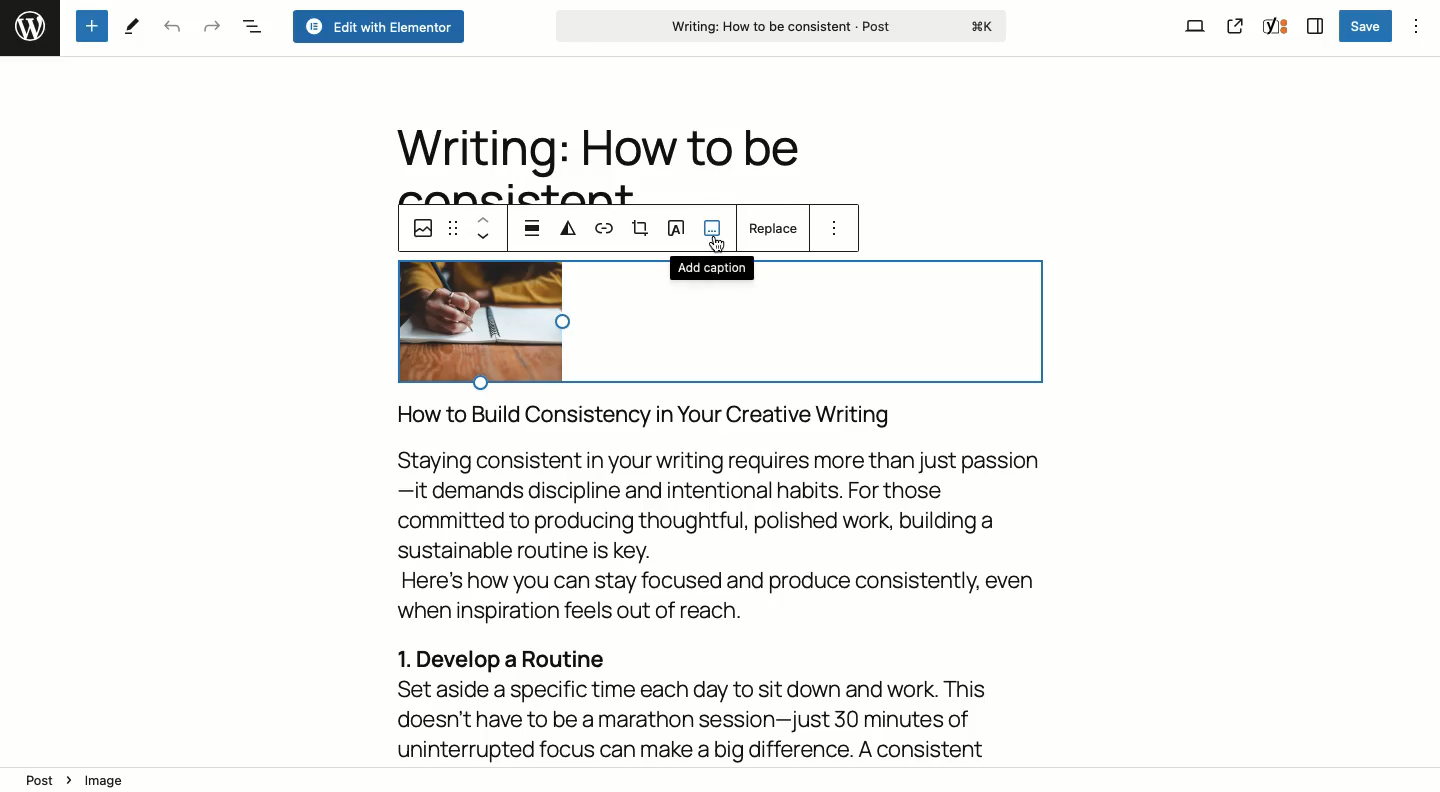 This screenshot has height=792, width=1440. What do you see at coordinates (784, 27) in the screenshot?
I see `Writing: How to be consistent - Post ` at bounding box center [784, 27].